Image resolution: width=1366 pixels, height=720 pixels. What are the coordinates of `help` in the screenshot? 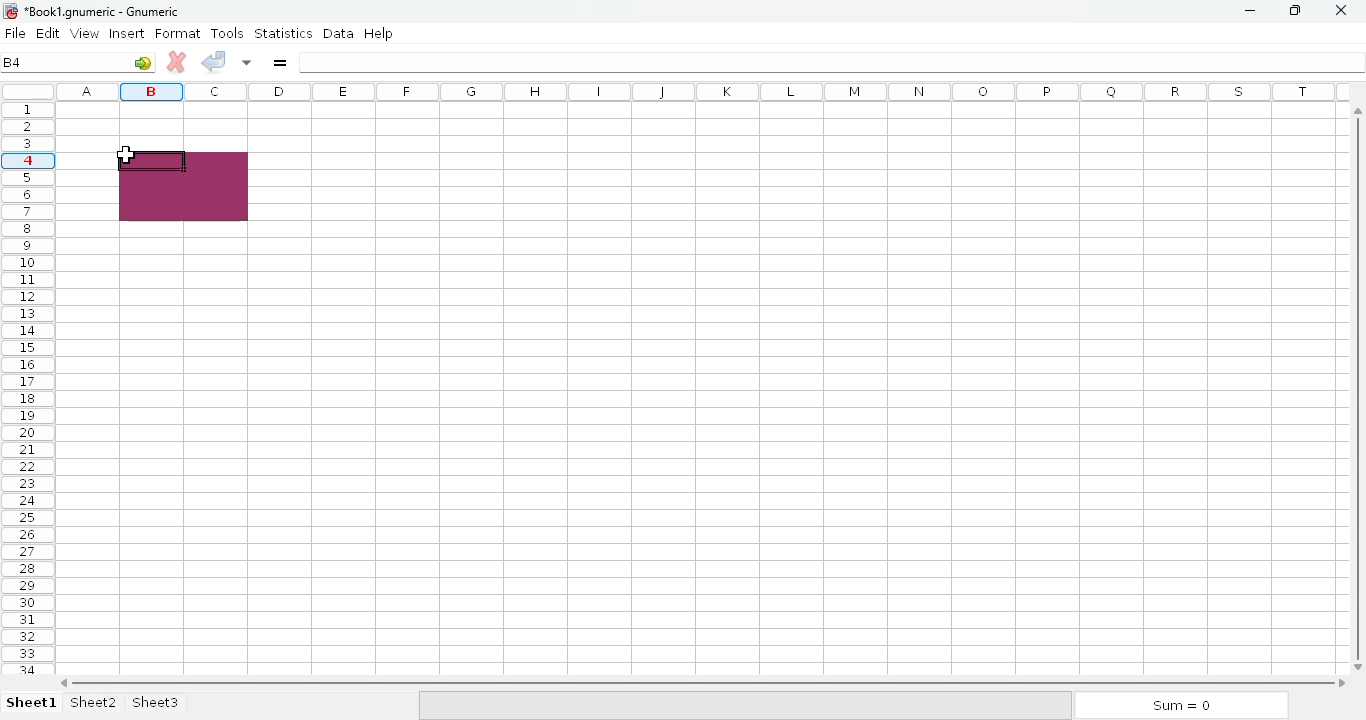 It's located at (378, 34).